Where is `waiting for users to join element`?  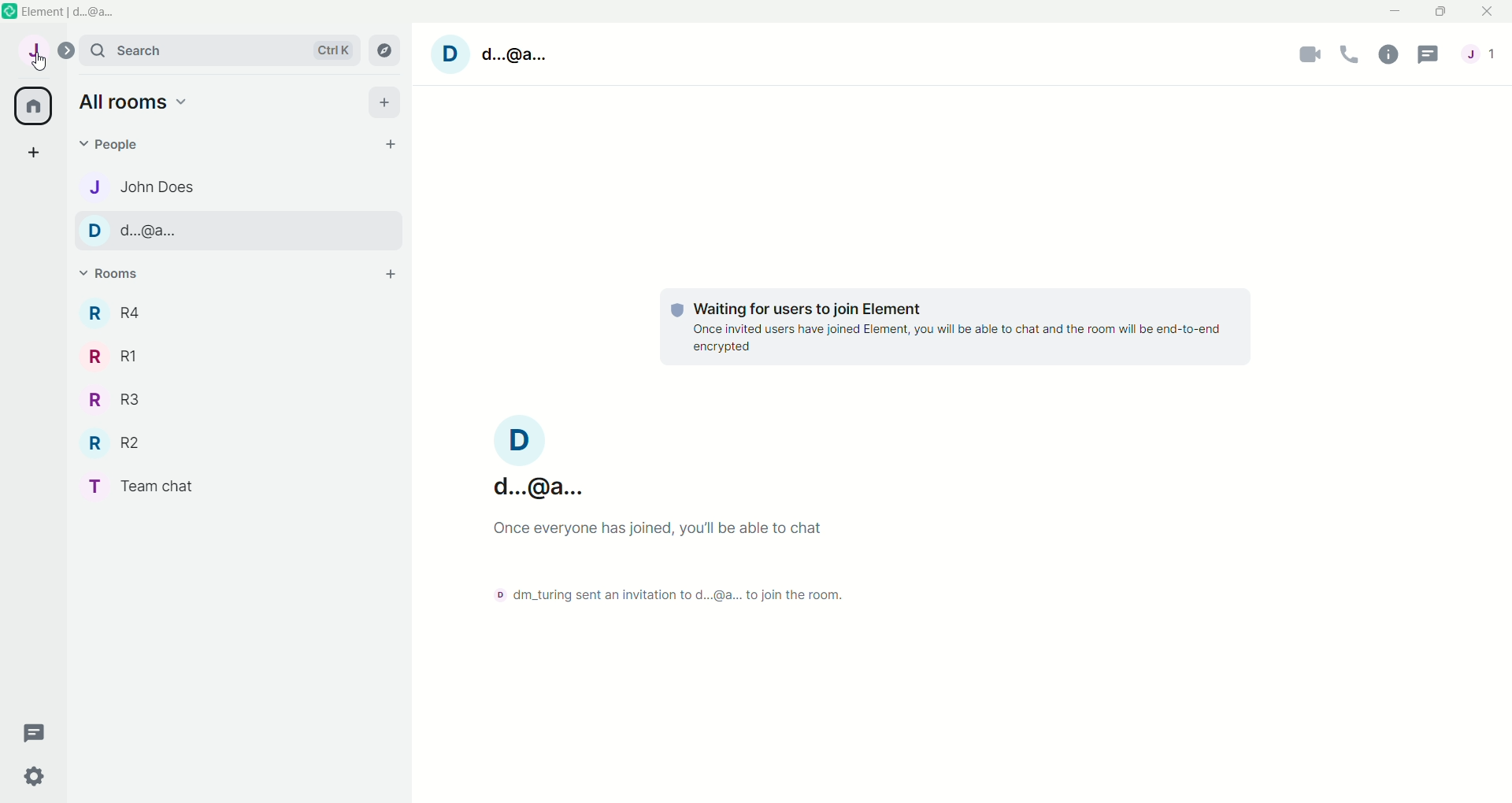
waiting for users to join element is located at coordinates (780, 304).